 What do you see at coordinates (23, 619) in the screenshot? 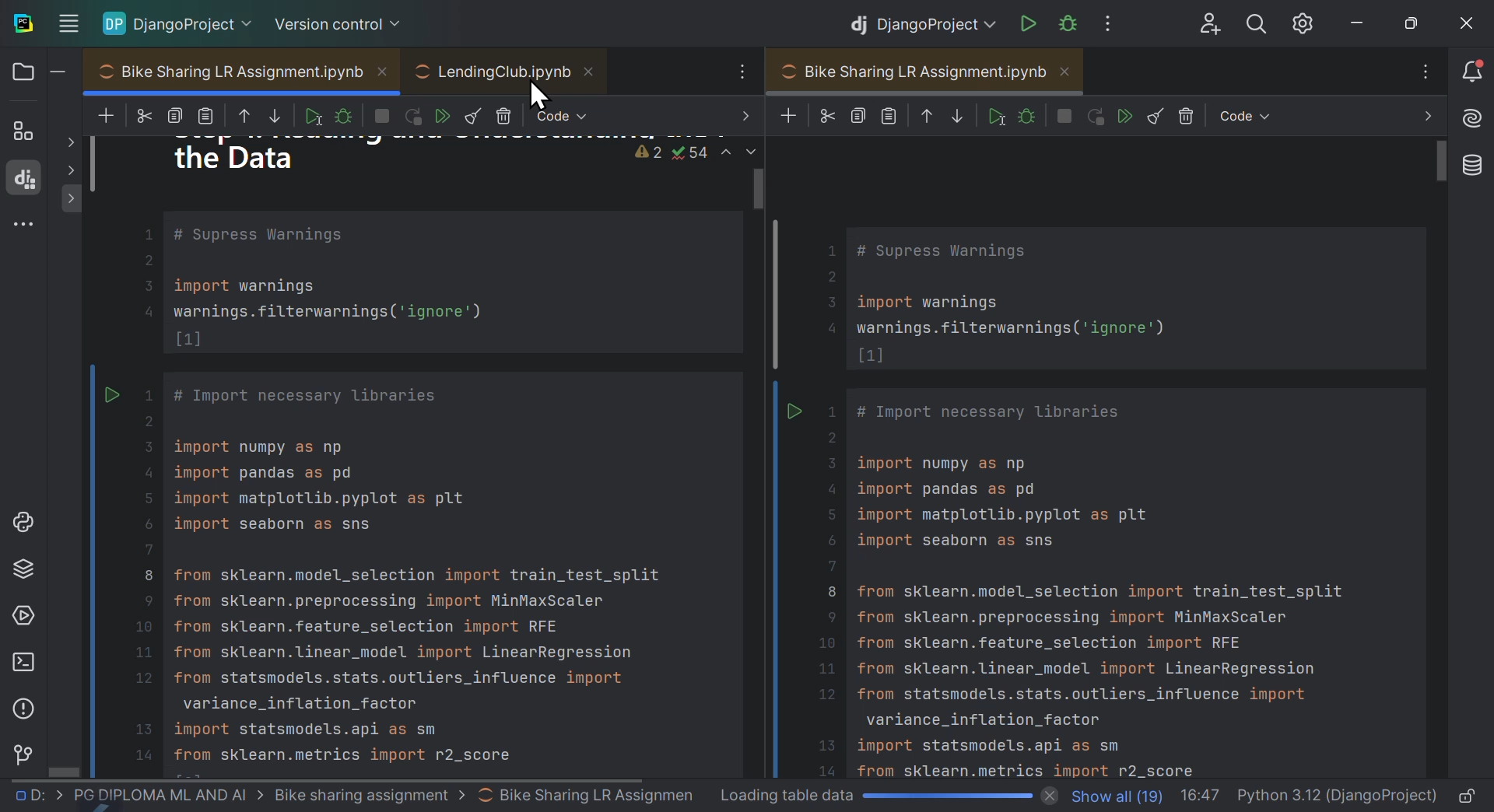
I see `Services` at bounding box center [23, 619].